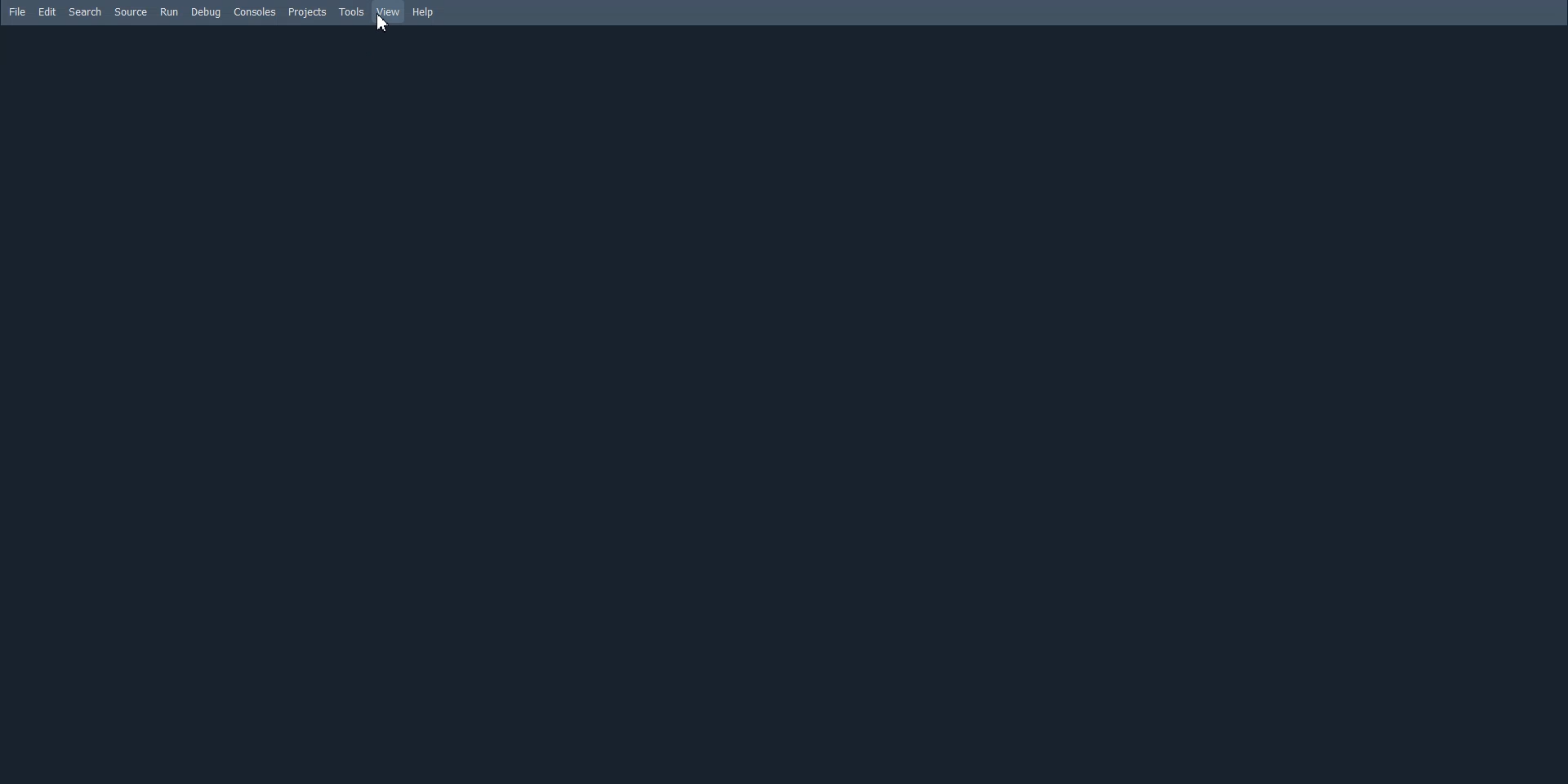  I want to click on Search, so click(86, 12).